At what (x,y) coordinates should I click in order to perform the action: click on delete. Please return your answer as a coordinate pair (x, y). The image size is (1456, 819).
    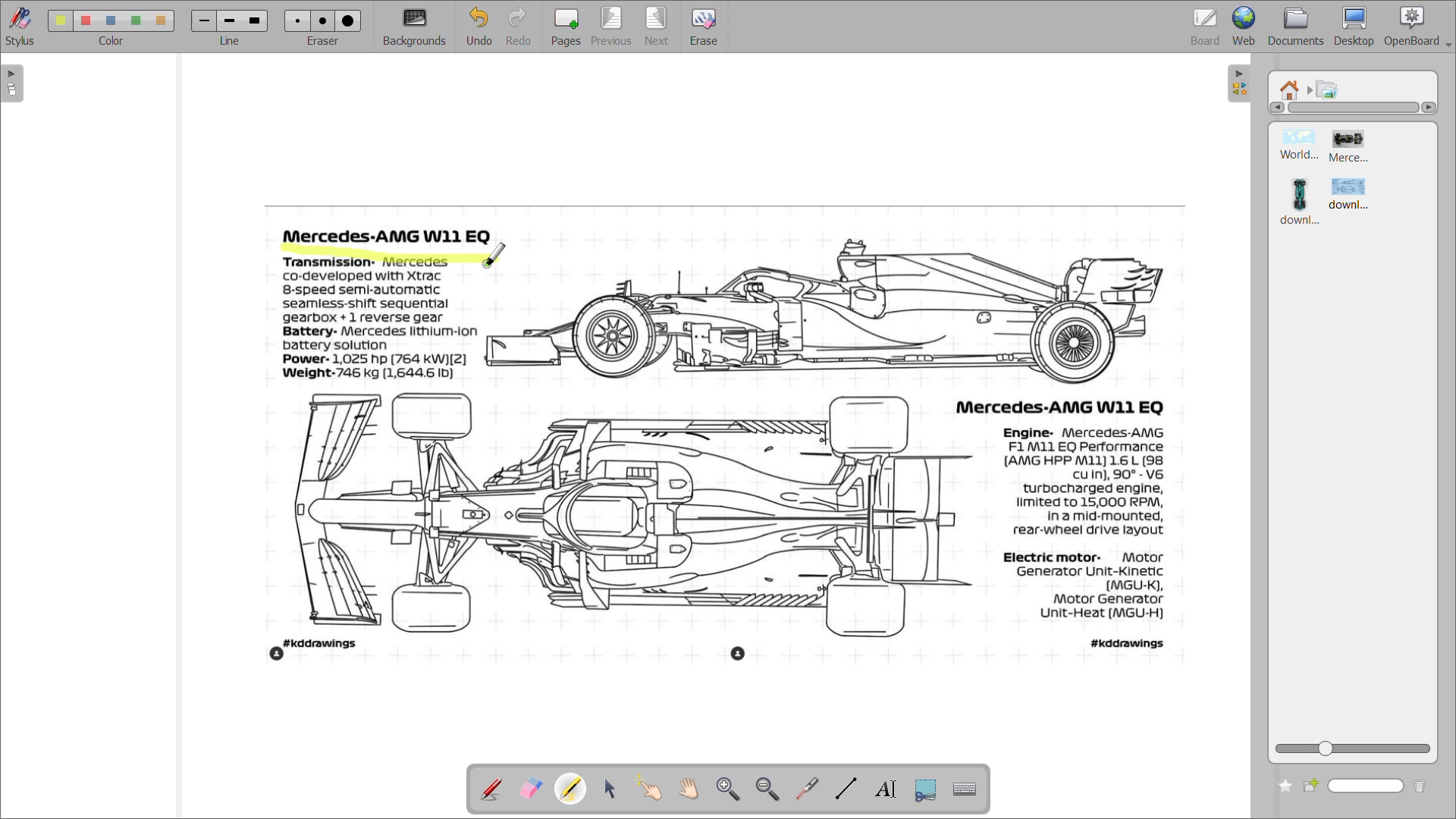
    Looking at the image, I should click on (1420, 787).